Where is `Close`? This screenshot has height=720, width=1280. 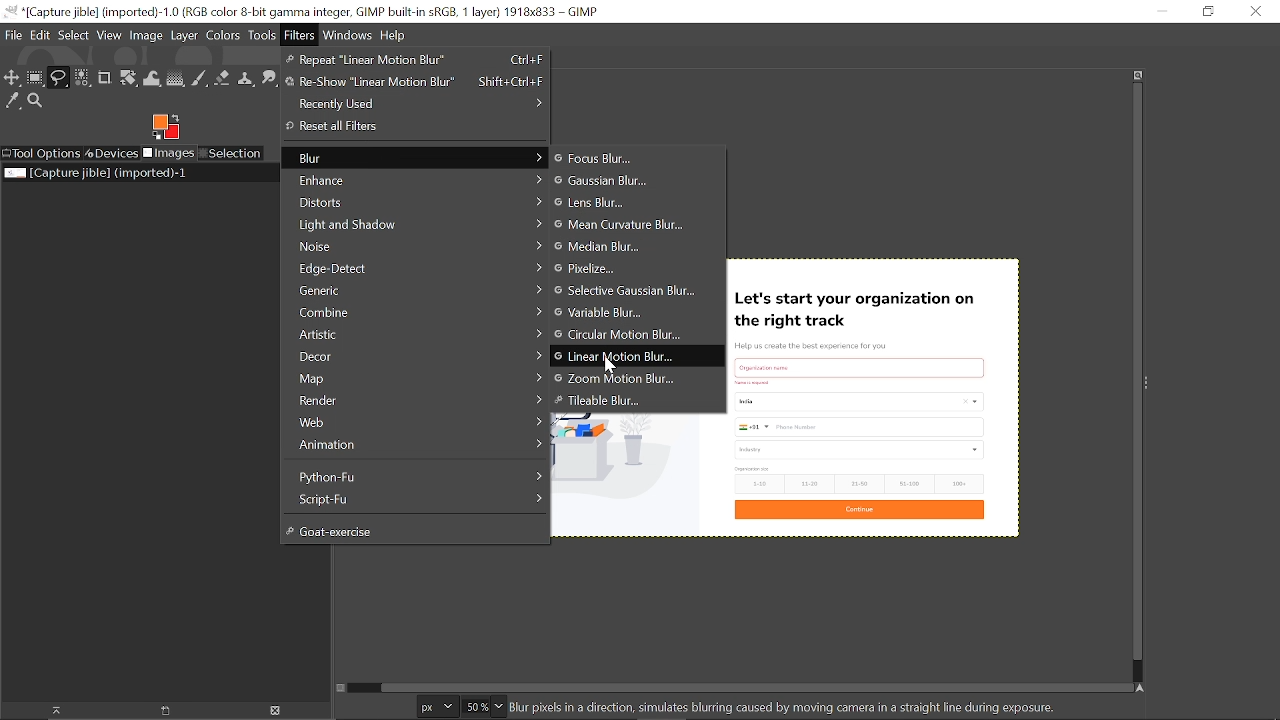
Close is located at coordinates (1256, 11).